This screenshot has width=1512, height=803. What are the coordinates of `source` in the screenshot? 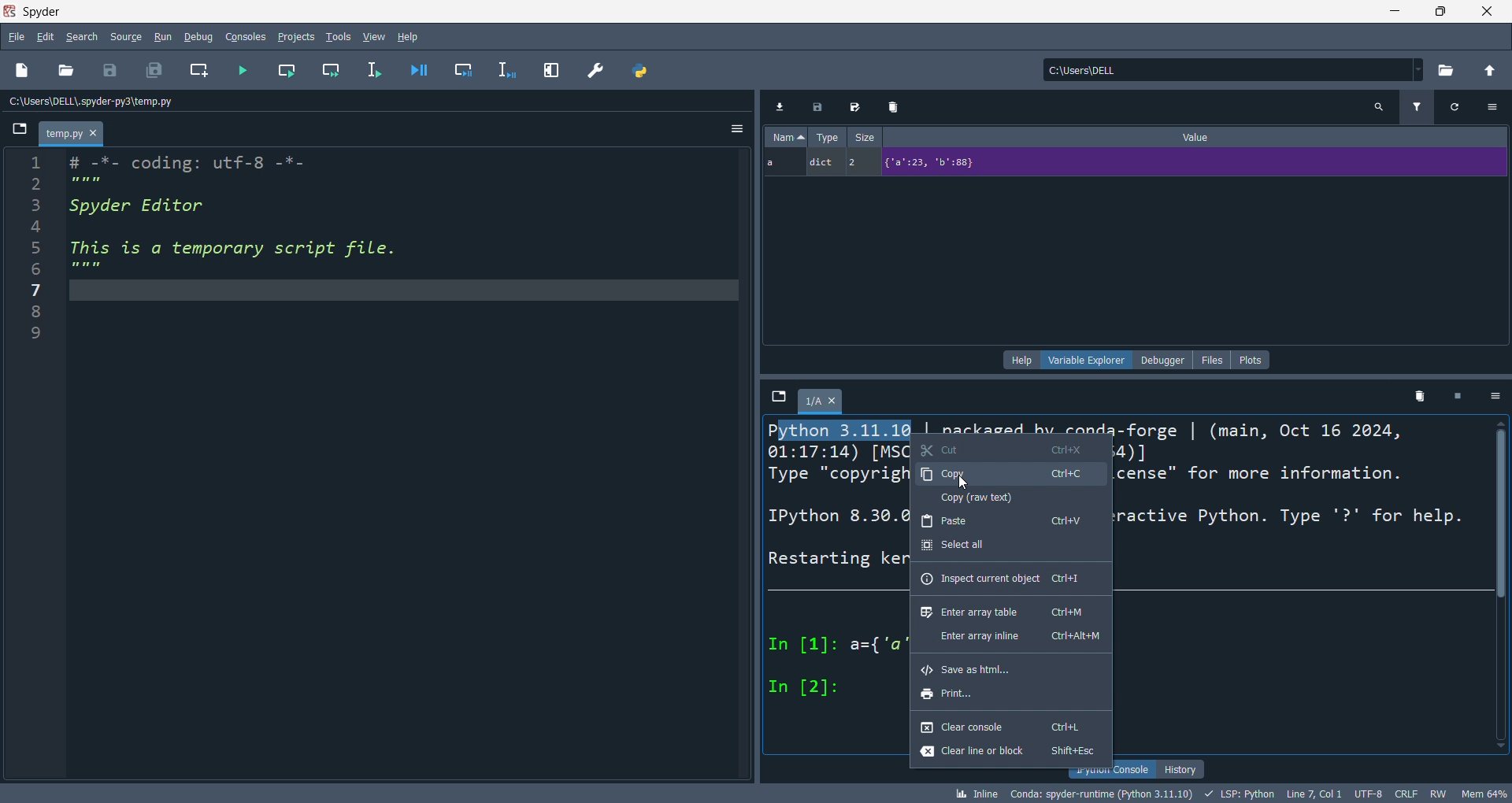 It's located at (123, 39).